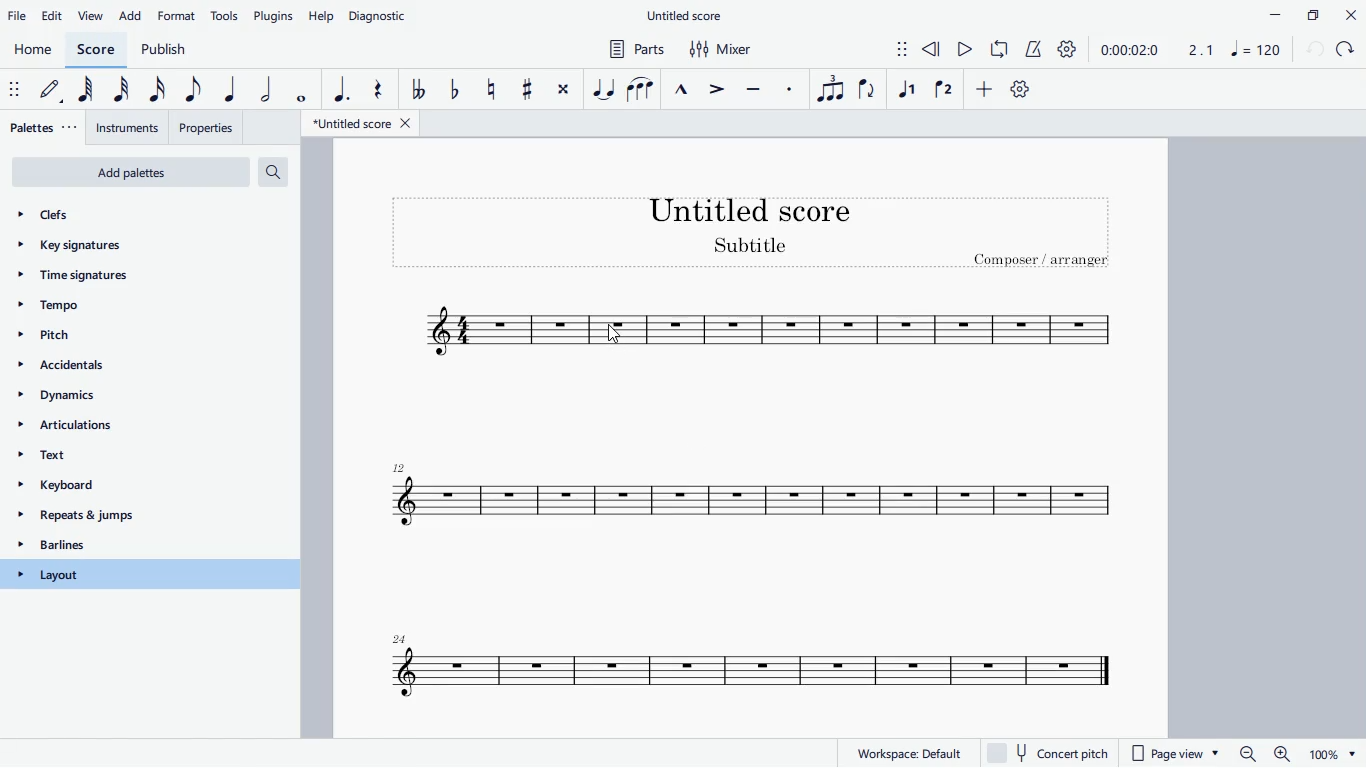 This screenshot has height=768, width=1366. What do you see at coordinates (1348, 50) in the screenshot?
I see `forward` at bounding box center [1348, 50].